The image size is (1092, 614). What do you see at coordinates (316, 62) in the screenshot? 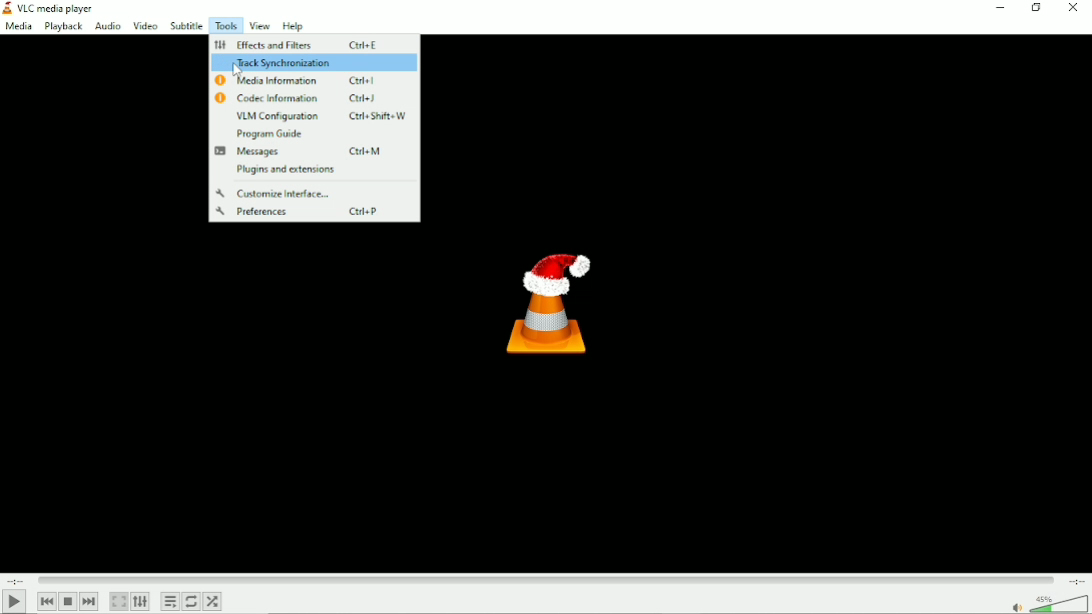
I see `track synchronization` at bounding box center [316, 62].